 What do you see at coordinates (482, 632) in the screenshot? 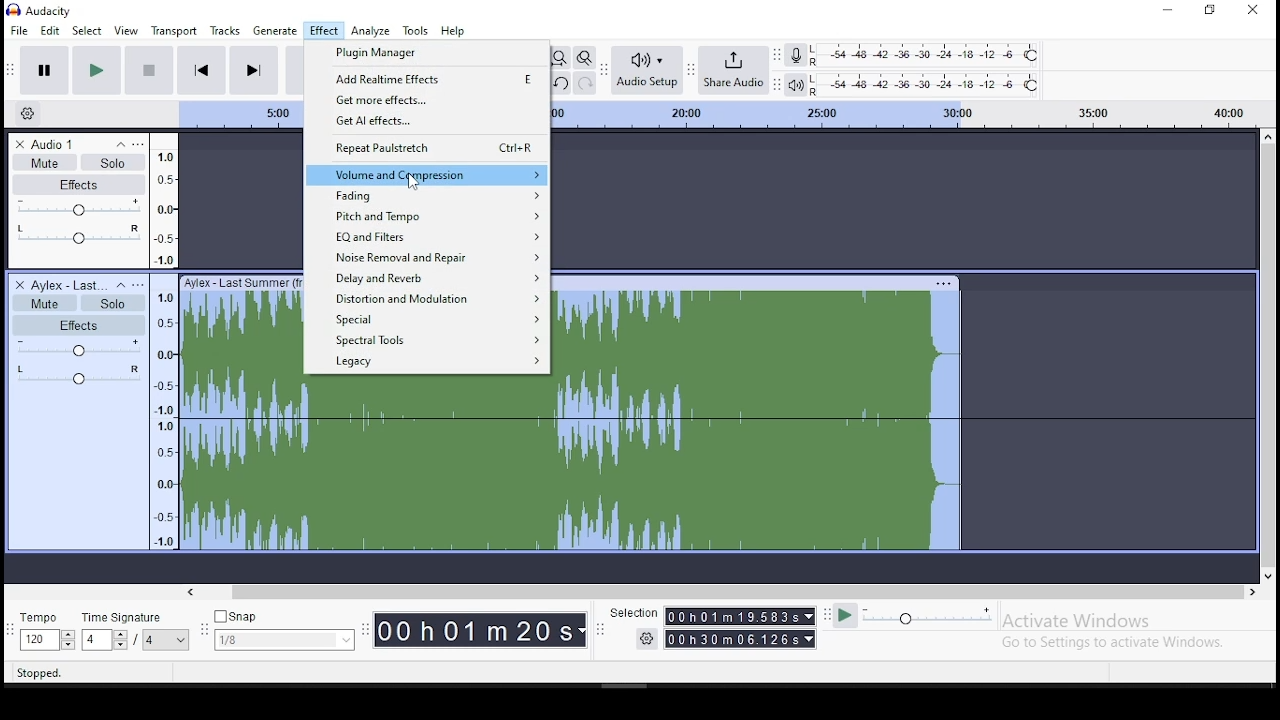
I see `time` at bounding box center [482, 632].